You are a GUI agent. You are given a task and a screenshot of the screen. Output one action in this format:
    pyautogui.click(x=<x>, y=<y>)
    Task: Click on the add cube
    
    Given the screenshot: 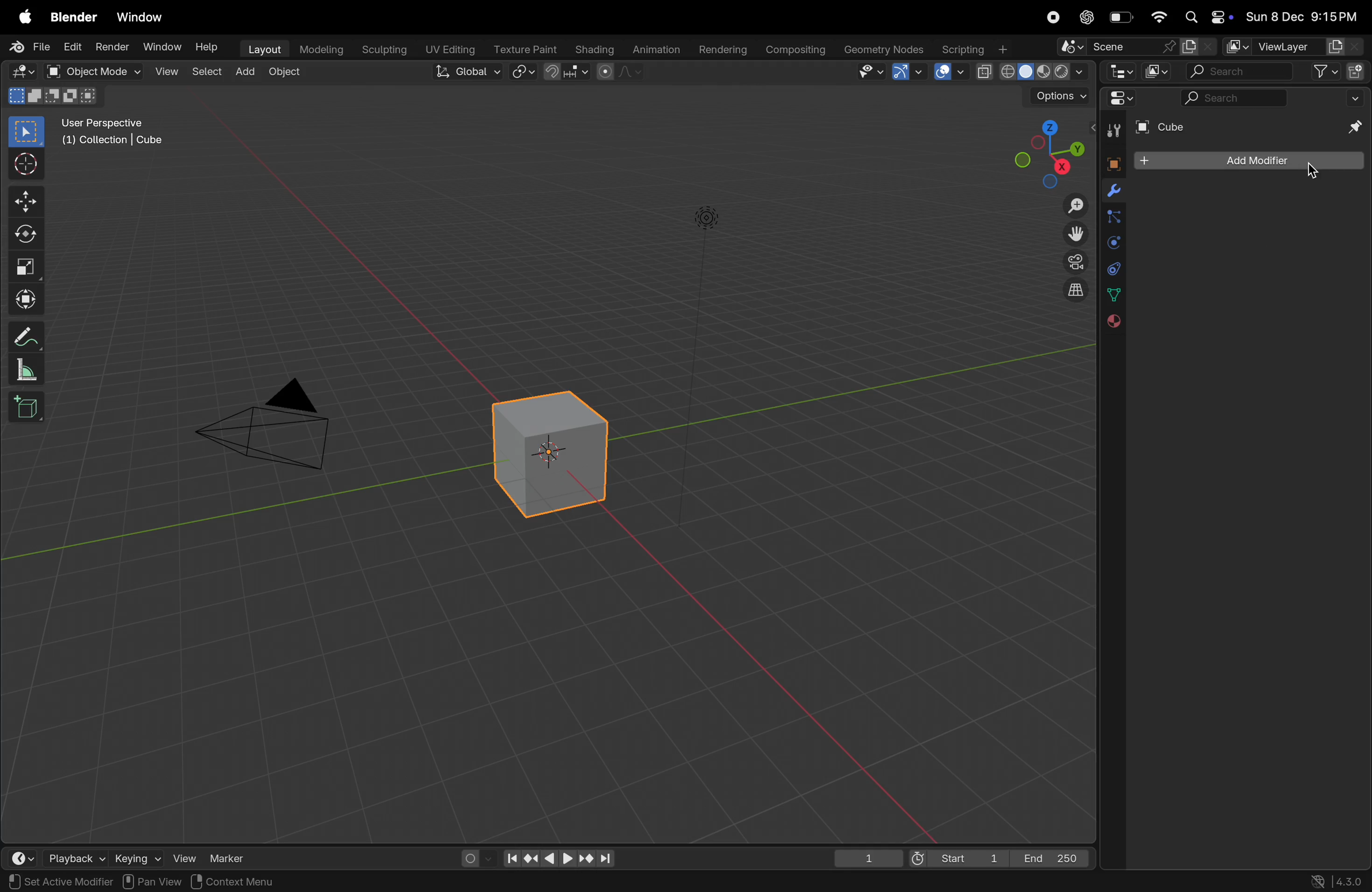 What is the action you would take?
    pyautogui.click(x=27, y=409)
    